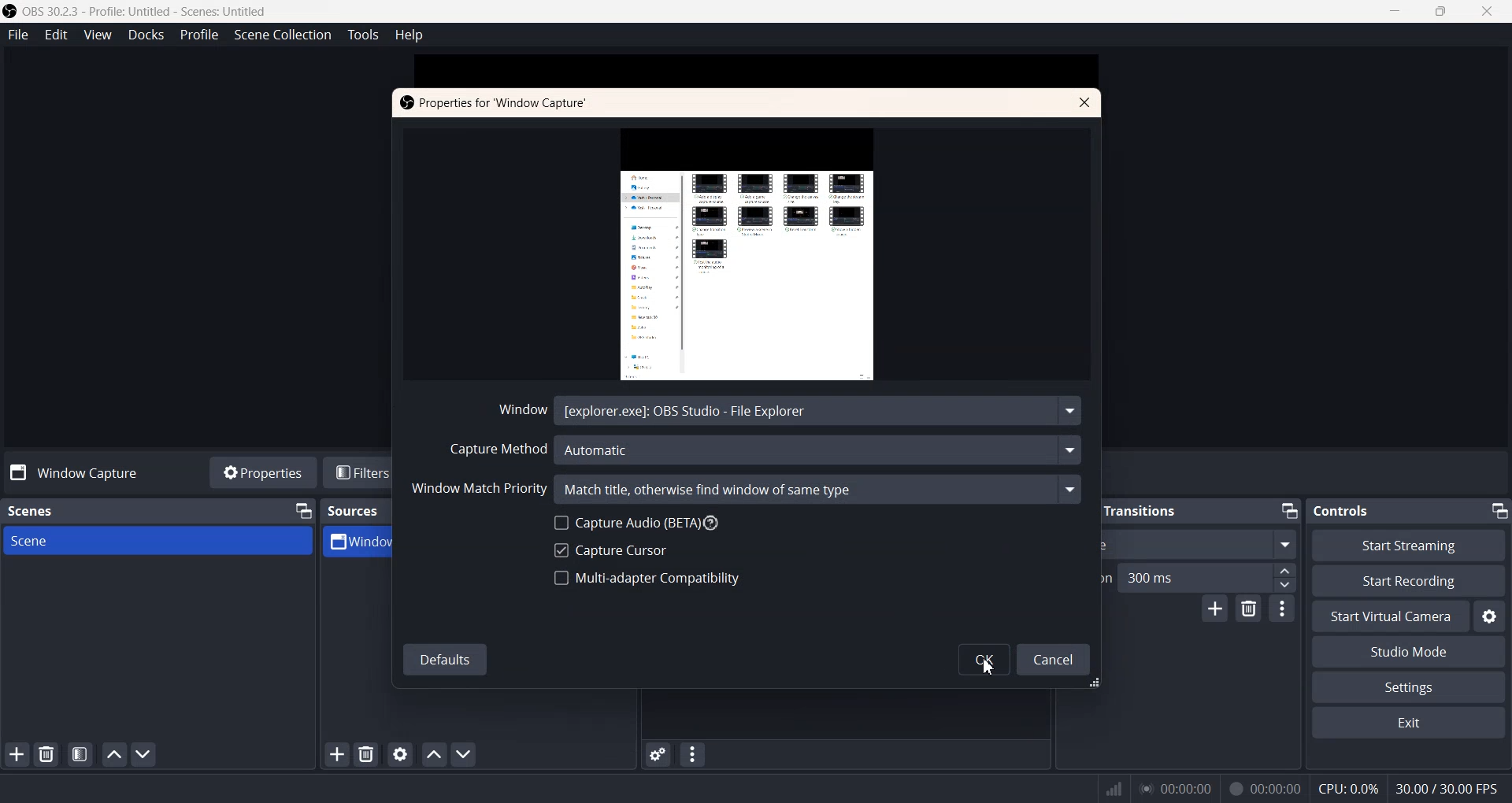 The height and width of the screenshot is (803, 1512). What do you see at coordinates (80, 754) in the screenshot?
I see `Open scene Filter` at bounding box center [80, 754].